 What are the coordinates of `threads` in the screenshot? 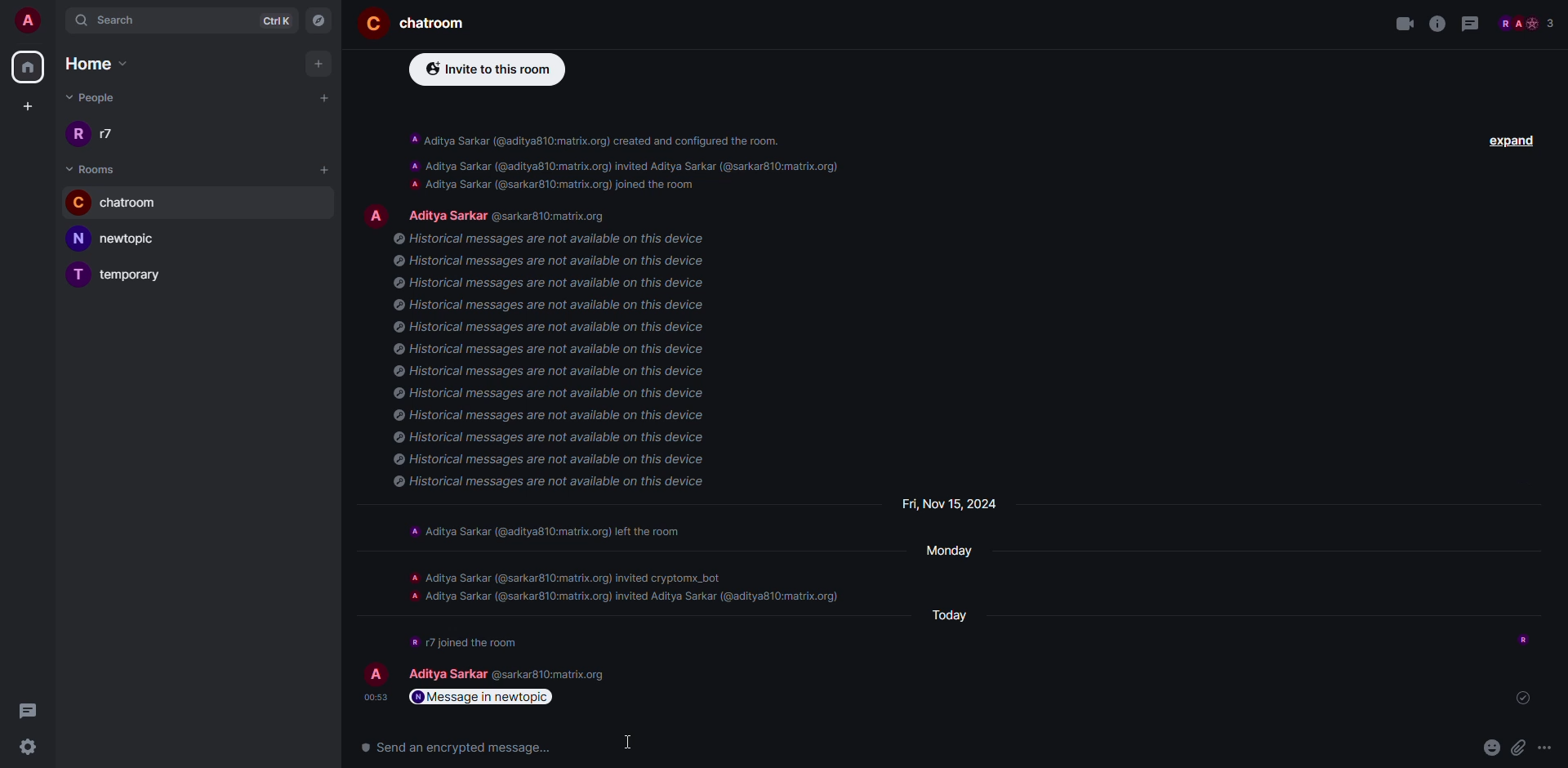 It's located at (27, 710).